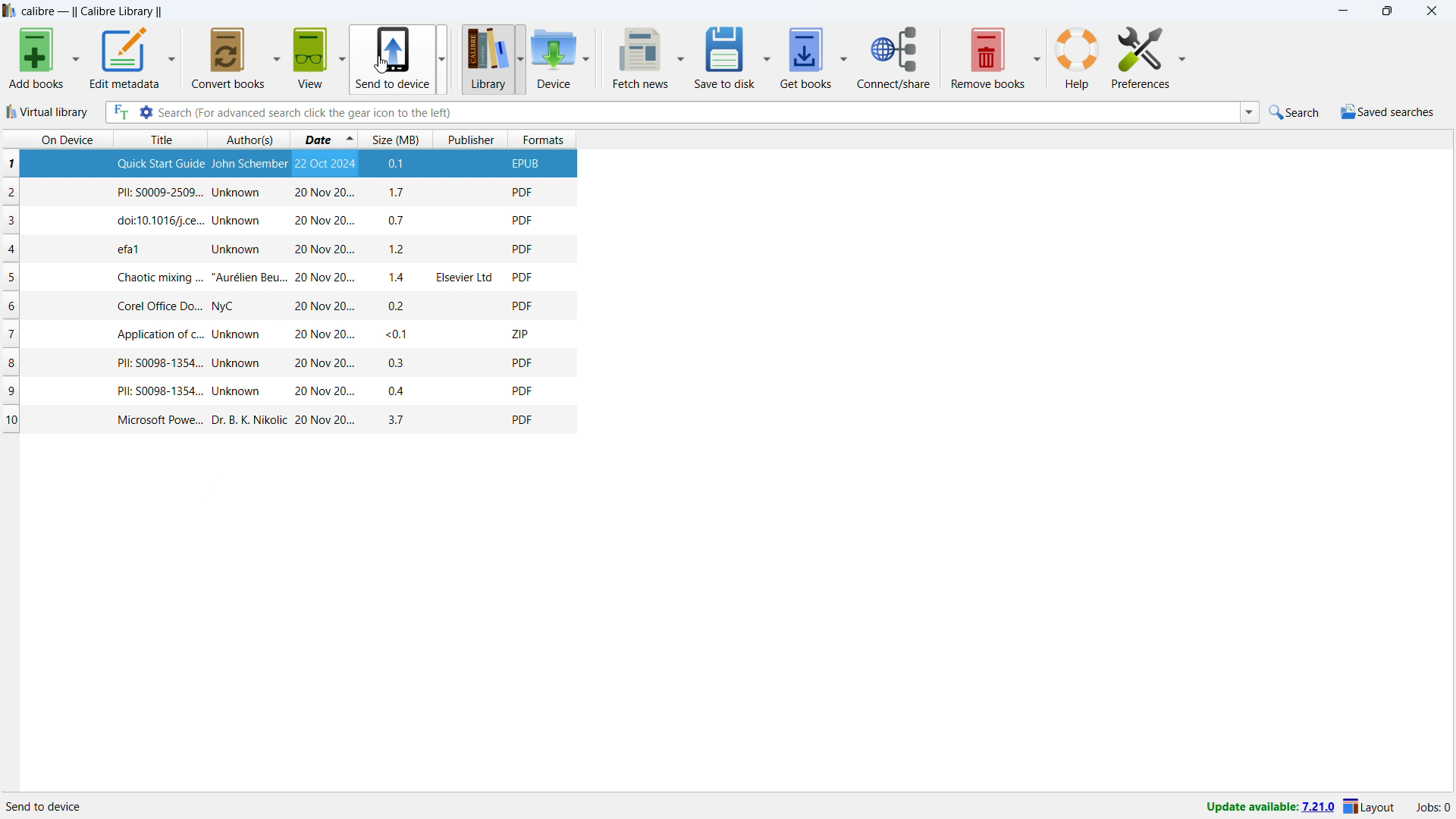 The height and width of the screenshot is (819, 1456). Describe the element at coordinates (1269, 808) in the screenshot. I see `update` at that location.